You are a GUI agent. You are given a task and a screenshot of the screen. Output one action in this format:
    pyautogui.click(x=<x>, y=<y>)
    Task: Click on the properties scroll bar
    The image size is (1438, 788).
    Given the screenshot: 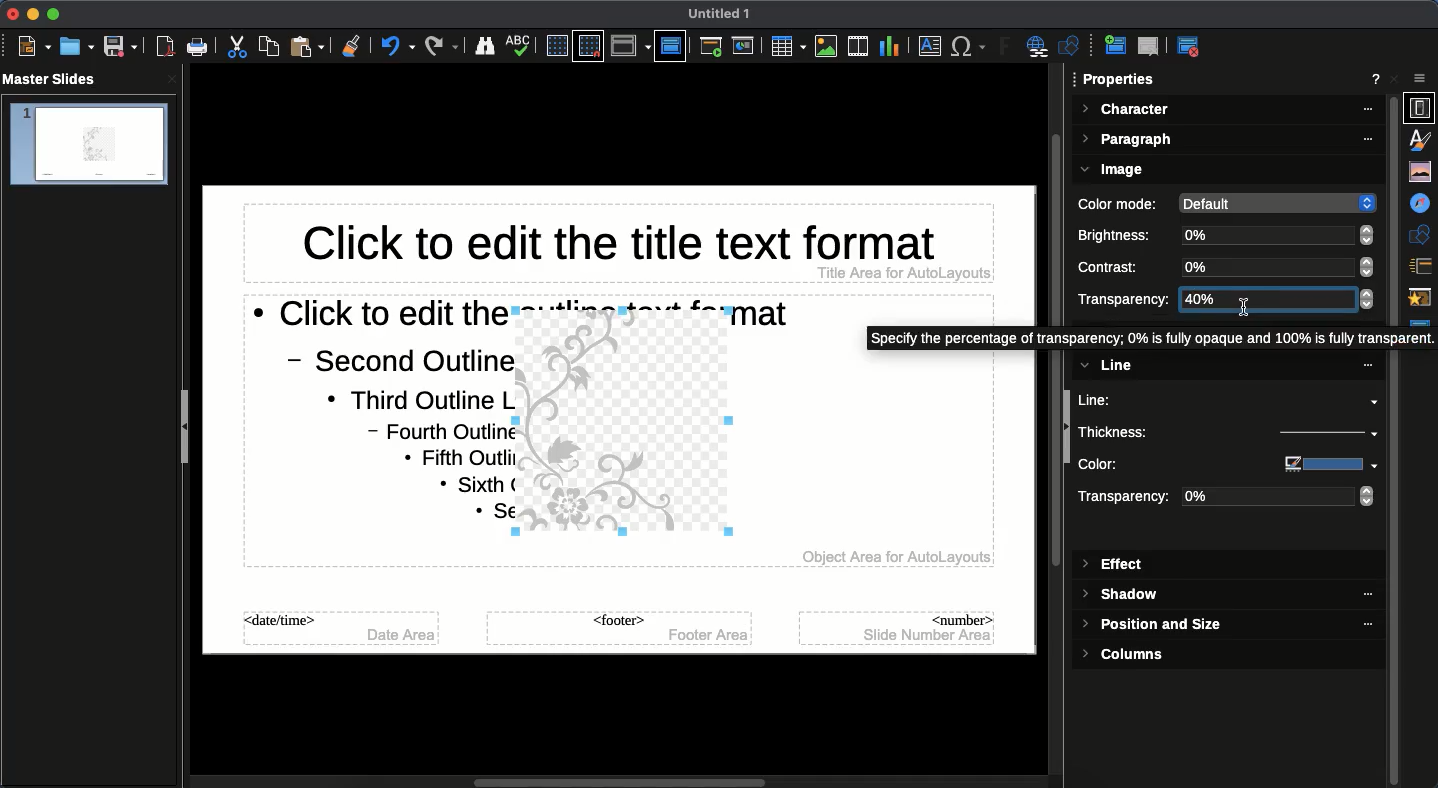 What is the action you would take?
    pyautogui.click(x=1395, y=546)
    